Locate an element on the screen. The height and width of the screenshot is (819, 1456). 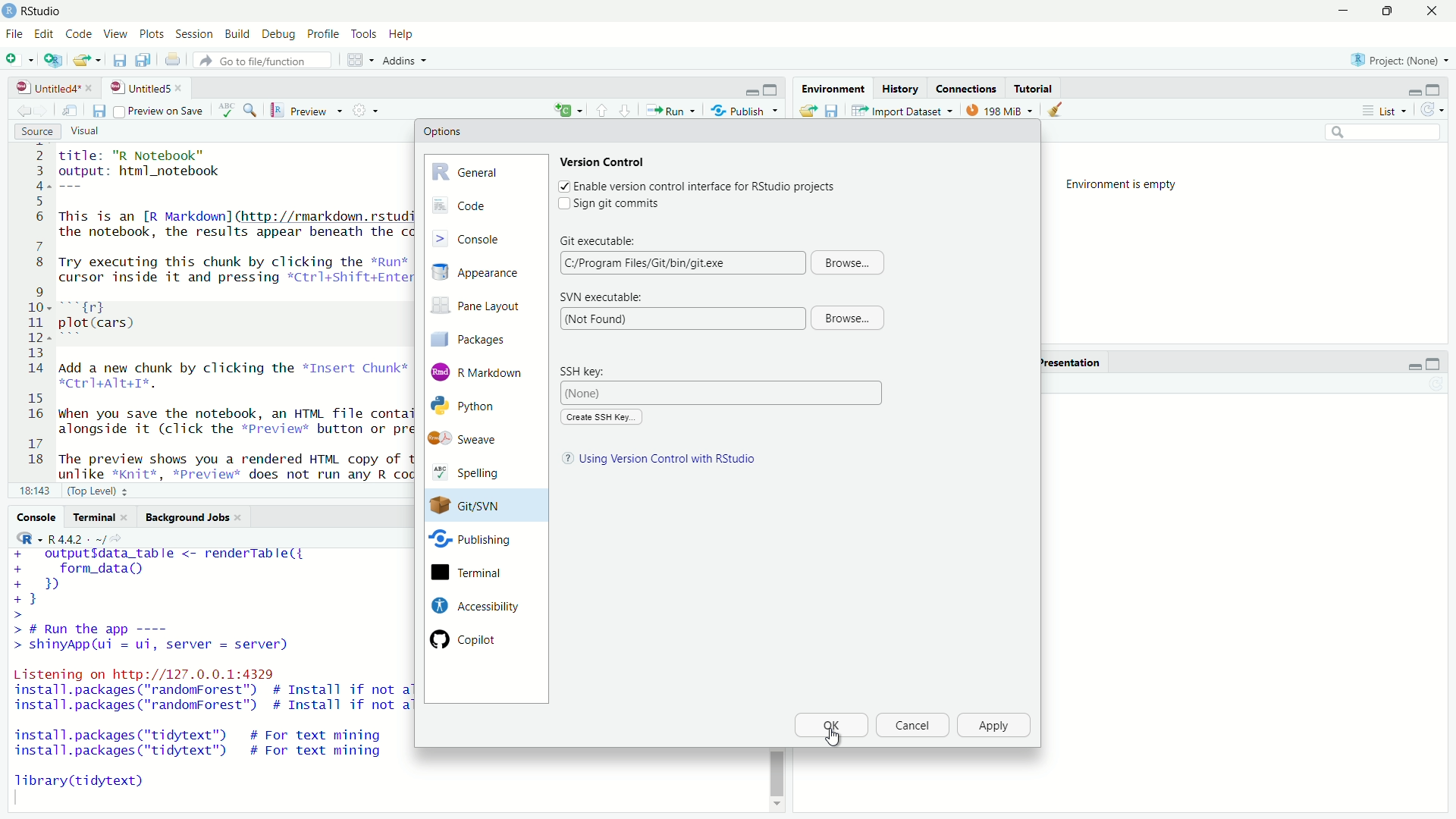
Title: 'R Notebook

output: html_notebook

This is an [R Markdown] (http: //rmarkdown.rstudio.com) Notebook. When you execute code within
the notebook, the results appear beneath the code.

Try executing this chunk by clicking the *Run* button within the chunk or by placing your
cursor inside it and pressing *Ctrl+Shift+Enter.
rd zh
plot(cars)

Add a new chunk by clicking the *Insert Chunk* button on the toolbar or by pressing
HCErT+ATE+I%.

when you save the notebook, an HTML file containing the code and output will be saved
alongside it (click the *Previews button or press *Ctrl+shift+k* to preview the HTML file).
The preview shows you a rendered HTML copy of the contents of the editor. Consequently,
unlike *knit*. *pPreview* does not run anv R code chunks. Instead. the output of the chunk is located at coordinates (231, 312).